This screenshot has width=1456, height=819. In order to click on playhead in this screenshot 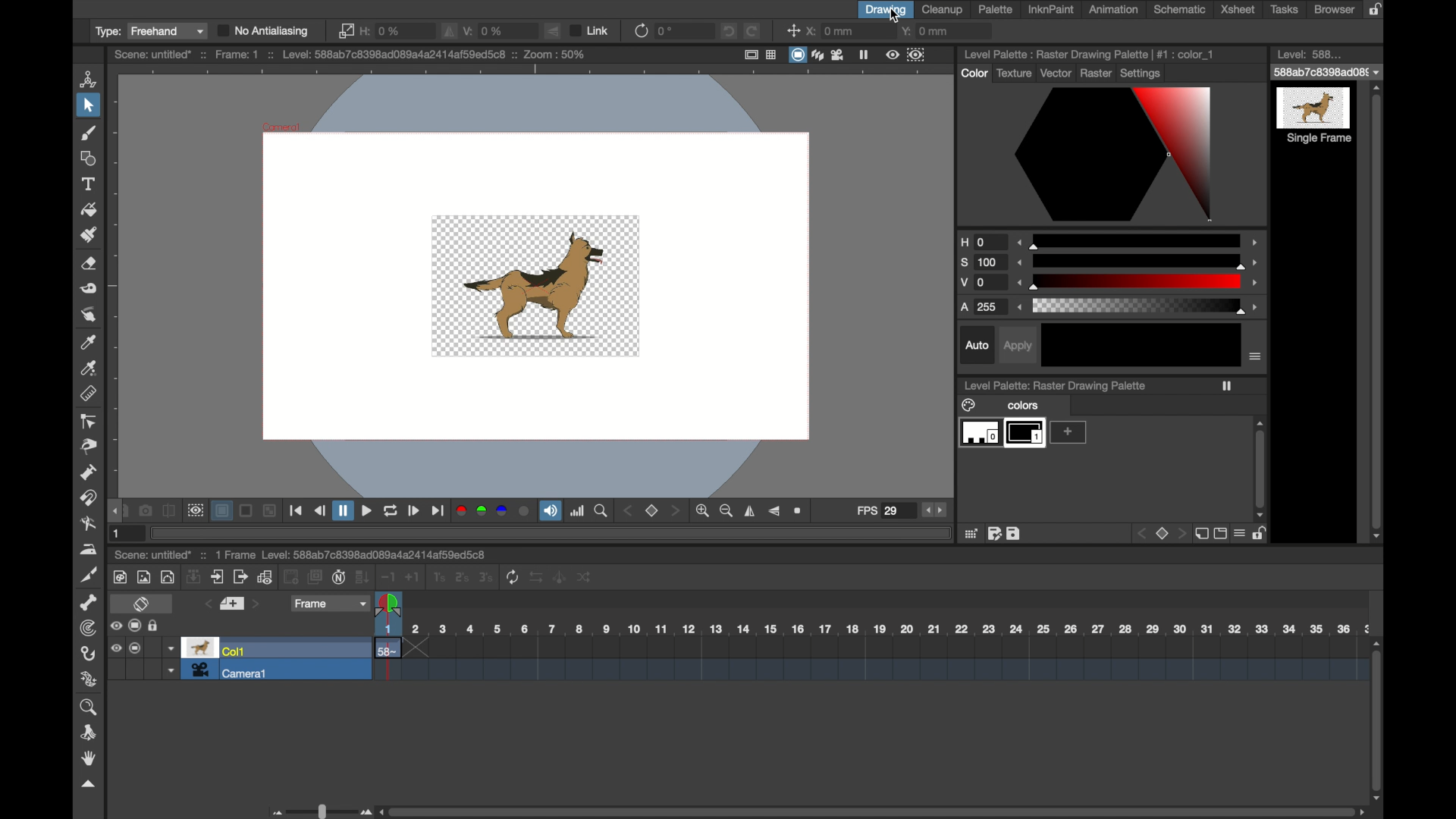, I will do `click(390, 605)`.